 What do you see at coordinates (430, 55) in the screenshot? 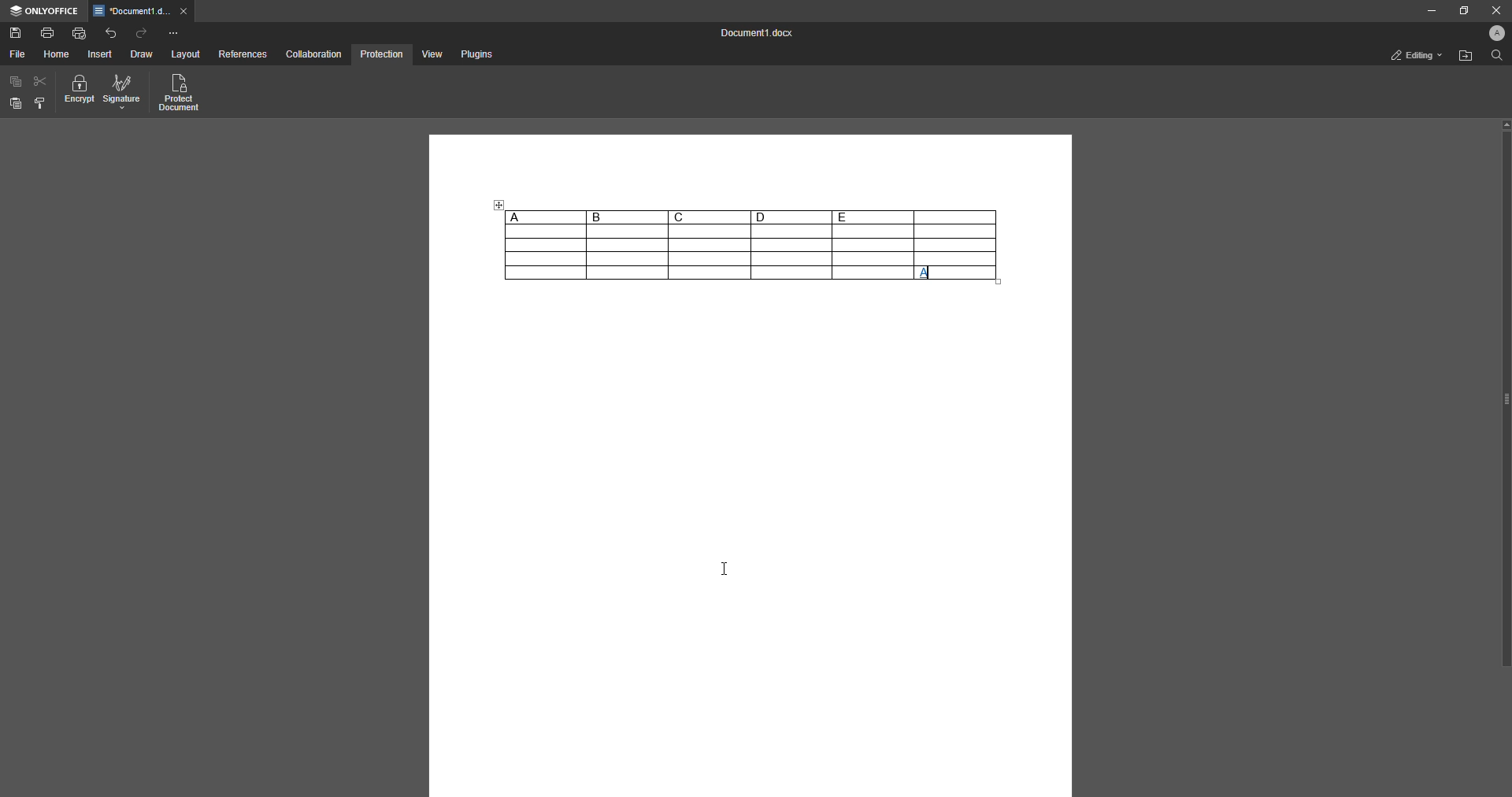
I see `View` at bounding box center [430, 55].